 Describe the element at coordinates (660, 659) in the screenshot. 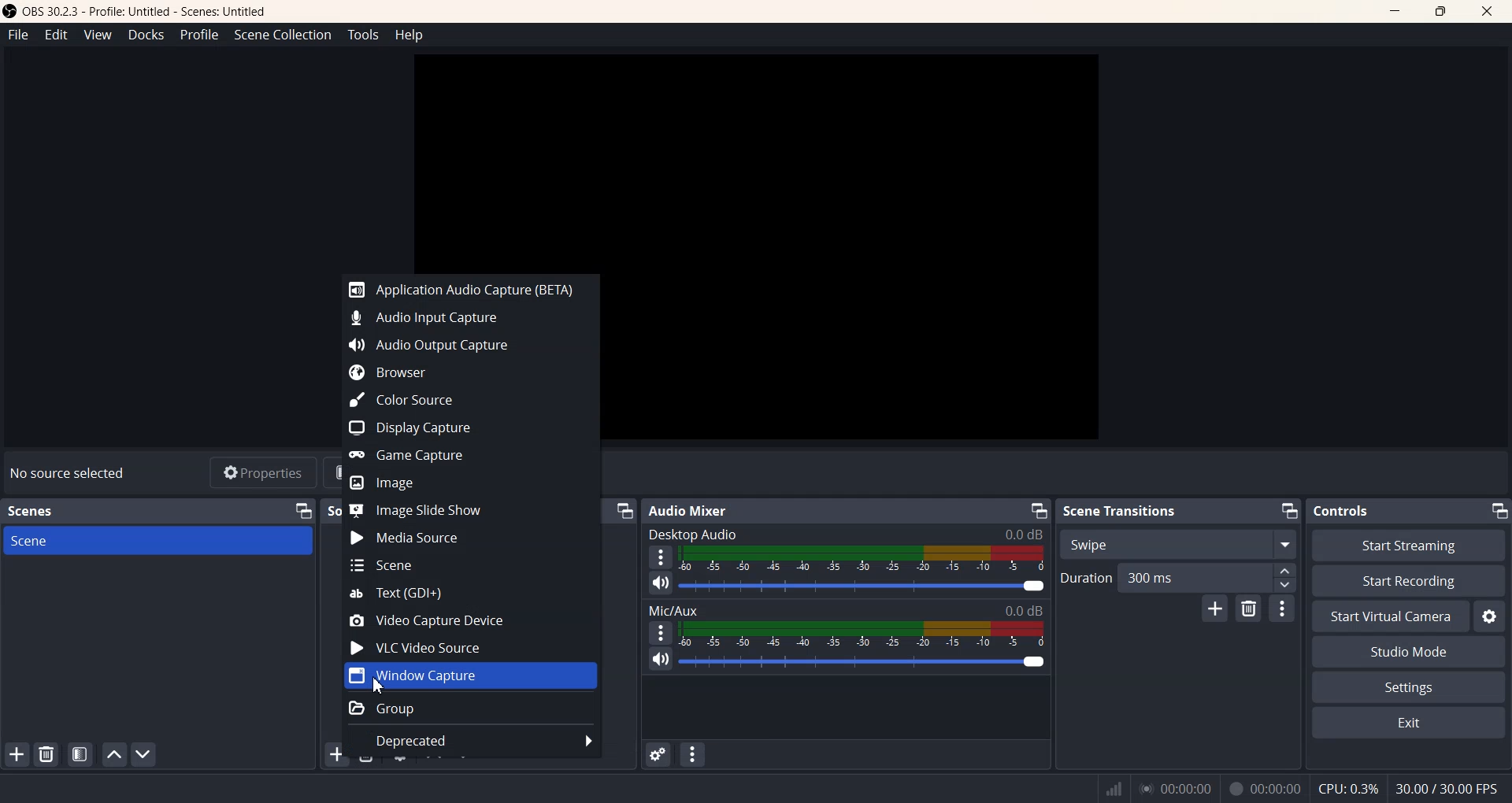

I see `Mute/ Unmute` at that location.